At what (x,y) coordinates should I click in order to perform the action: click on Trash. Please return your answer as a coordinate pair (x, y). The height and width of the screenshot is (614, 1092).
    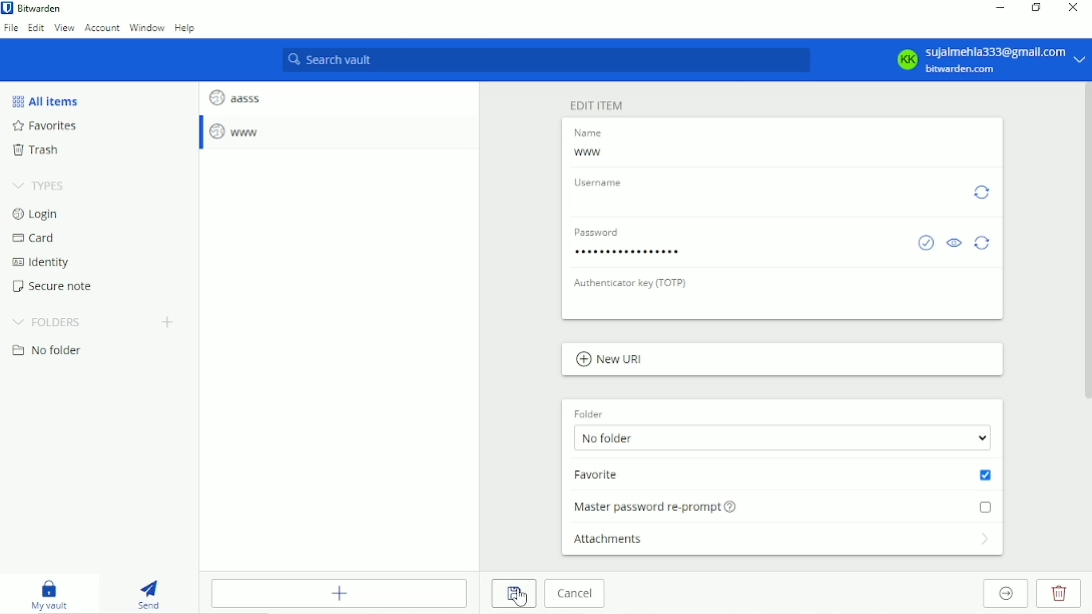
    Looking at the image, I should click on (35, 152).